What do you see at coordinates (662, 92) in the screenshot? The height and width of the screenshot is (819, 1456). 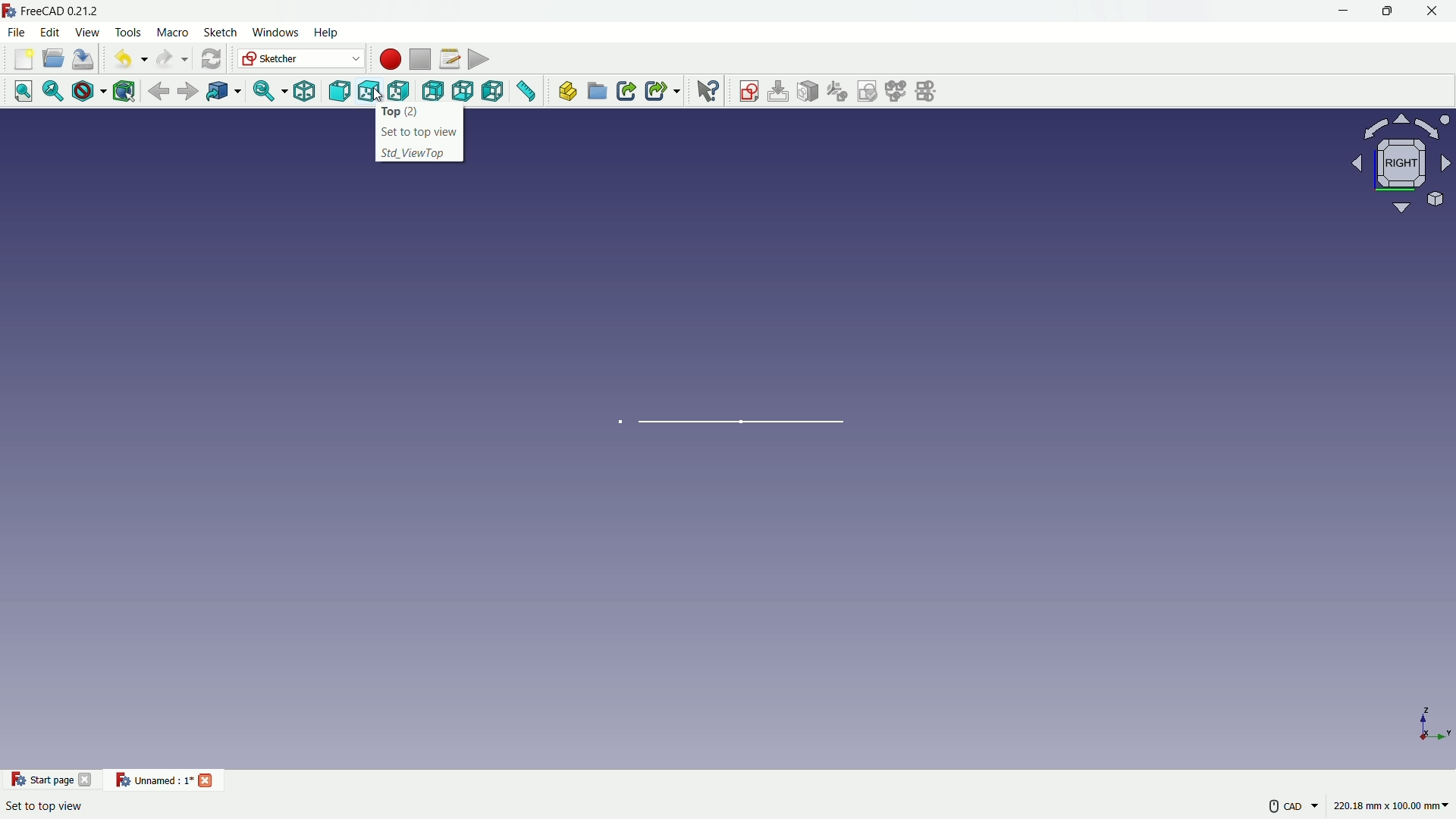 I see `make sublink` at bounding box center [662, 92].